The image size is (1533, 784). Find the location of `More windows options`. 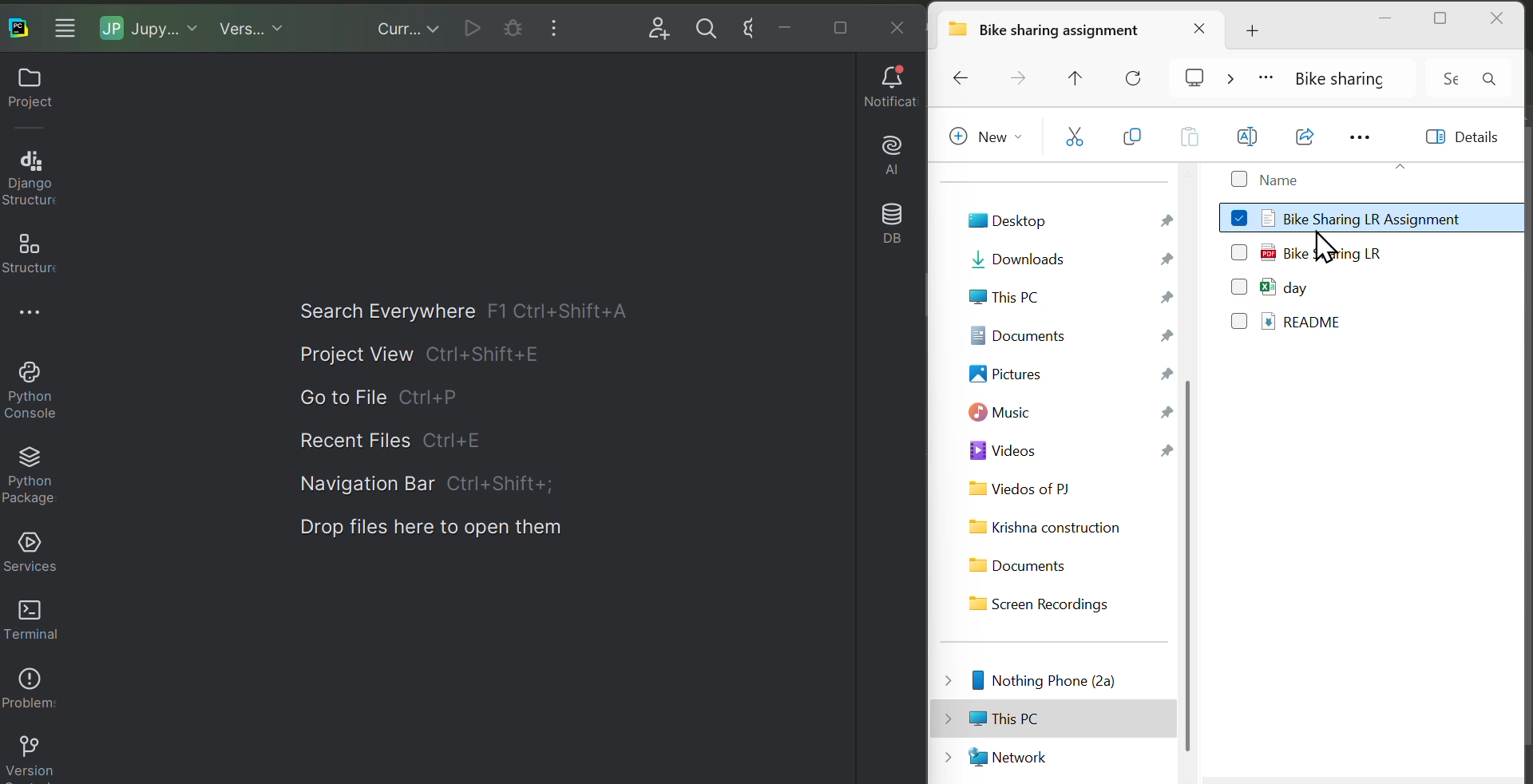

More windows options is located at coordinates (559, 27).